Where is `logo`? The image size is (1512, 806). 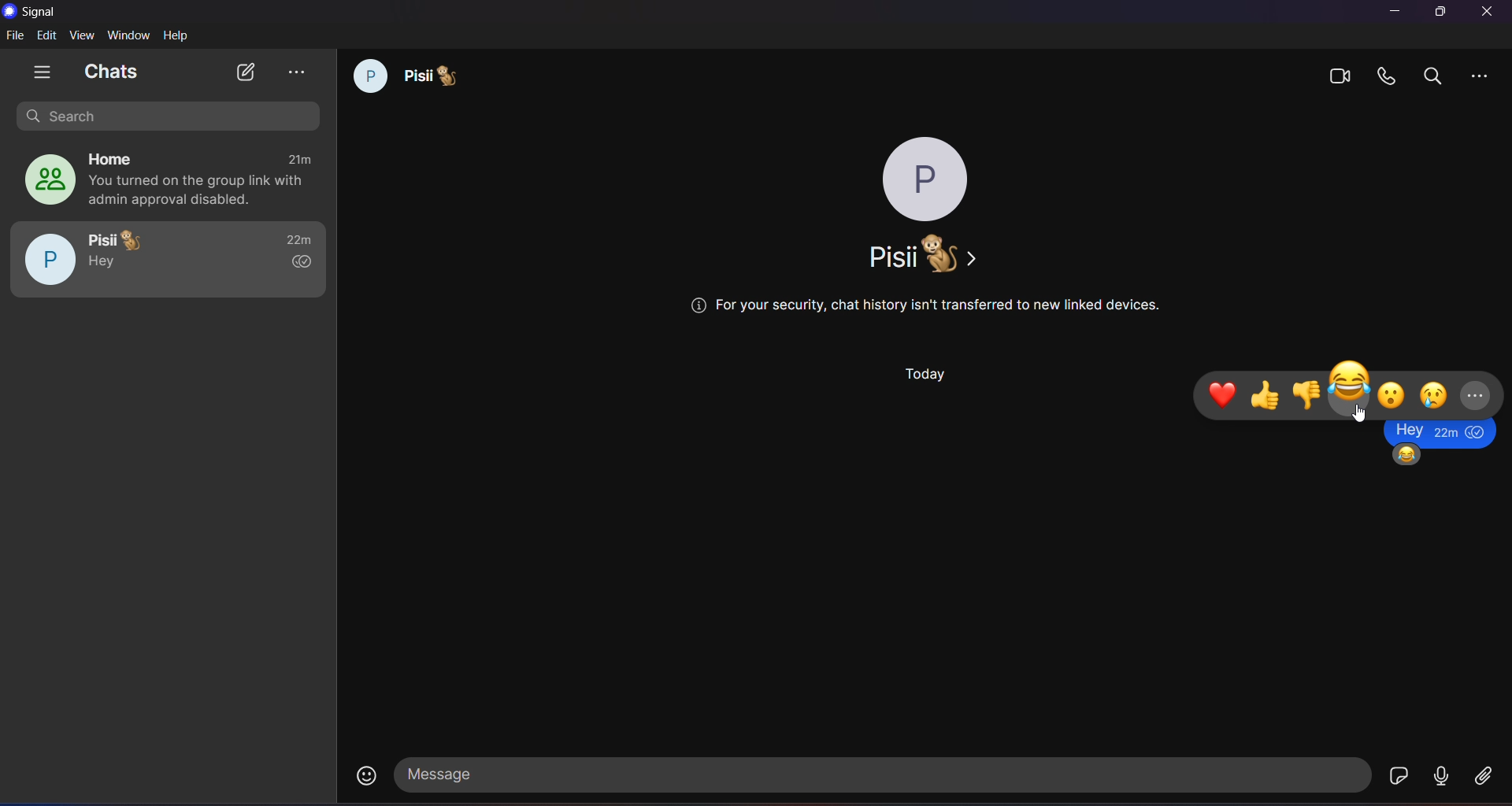 logo is located at coordinates (11, 12).